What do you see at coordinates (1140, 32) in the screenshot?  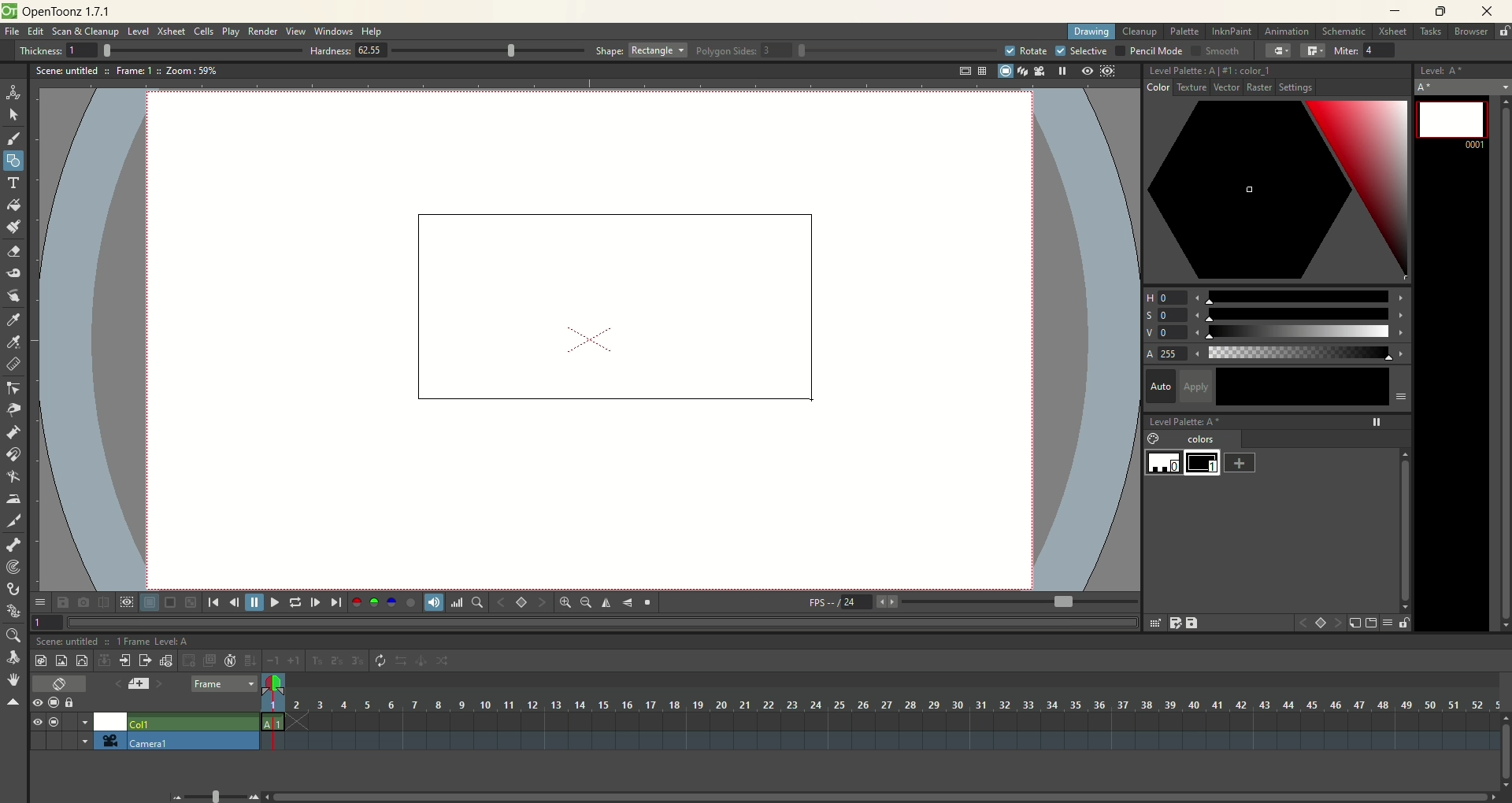 I see `clean up` at bounding box center [1140, 32].